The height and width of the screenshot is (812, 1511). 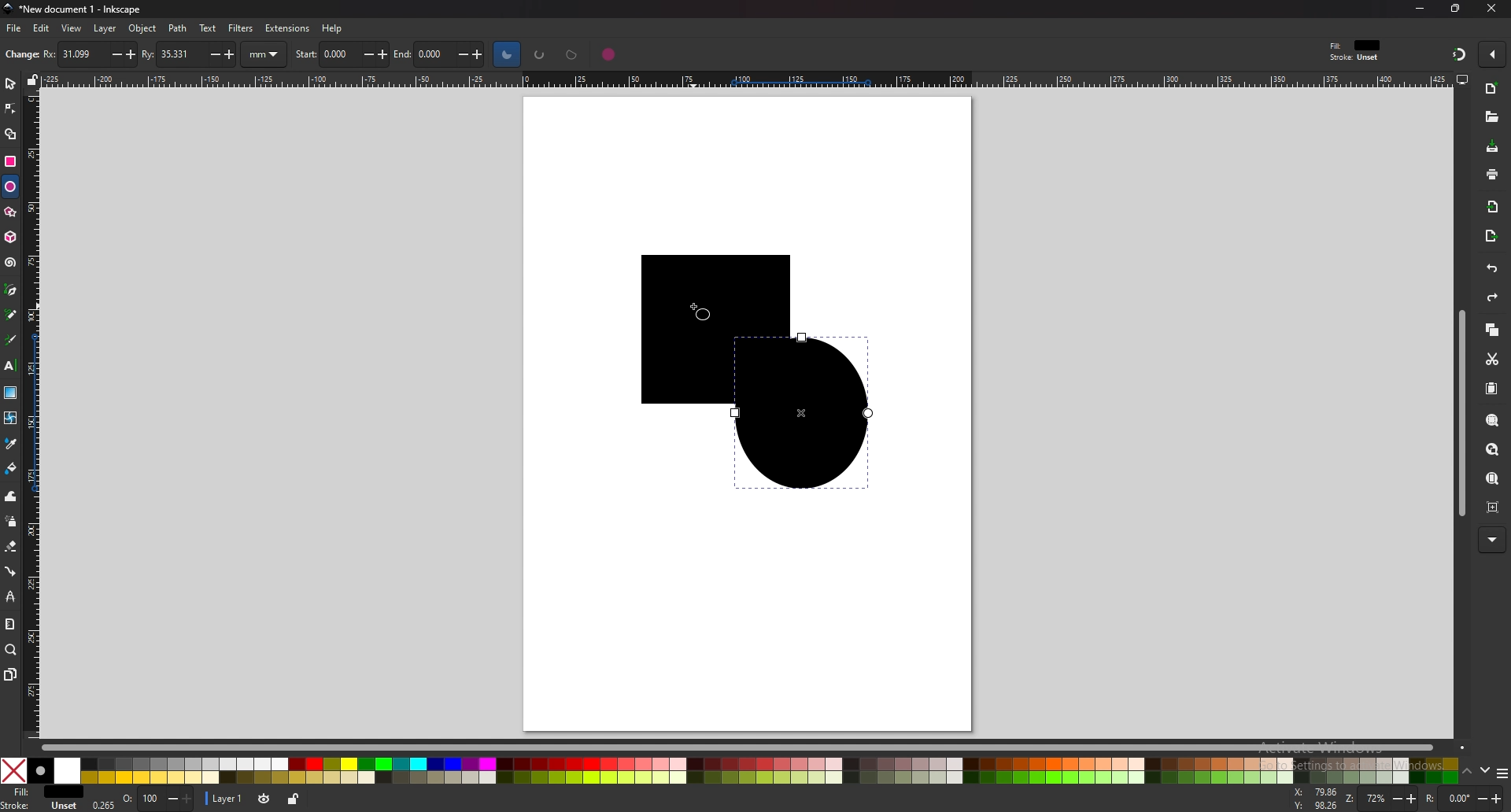 I want to click on more, so click(x=1491, y=540).